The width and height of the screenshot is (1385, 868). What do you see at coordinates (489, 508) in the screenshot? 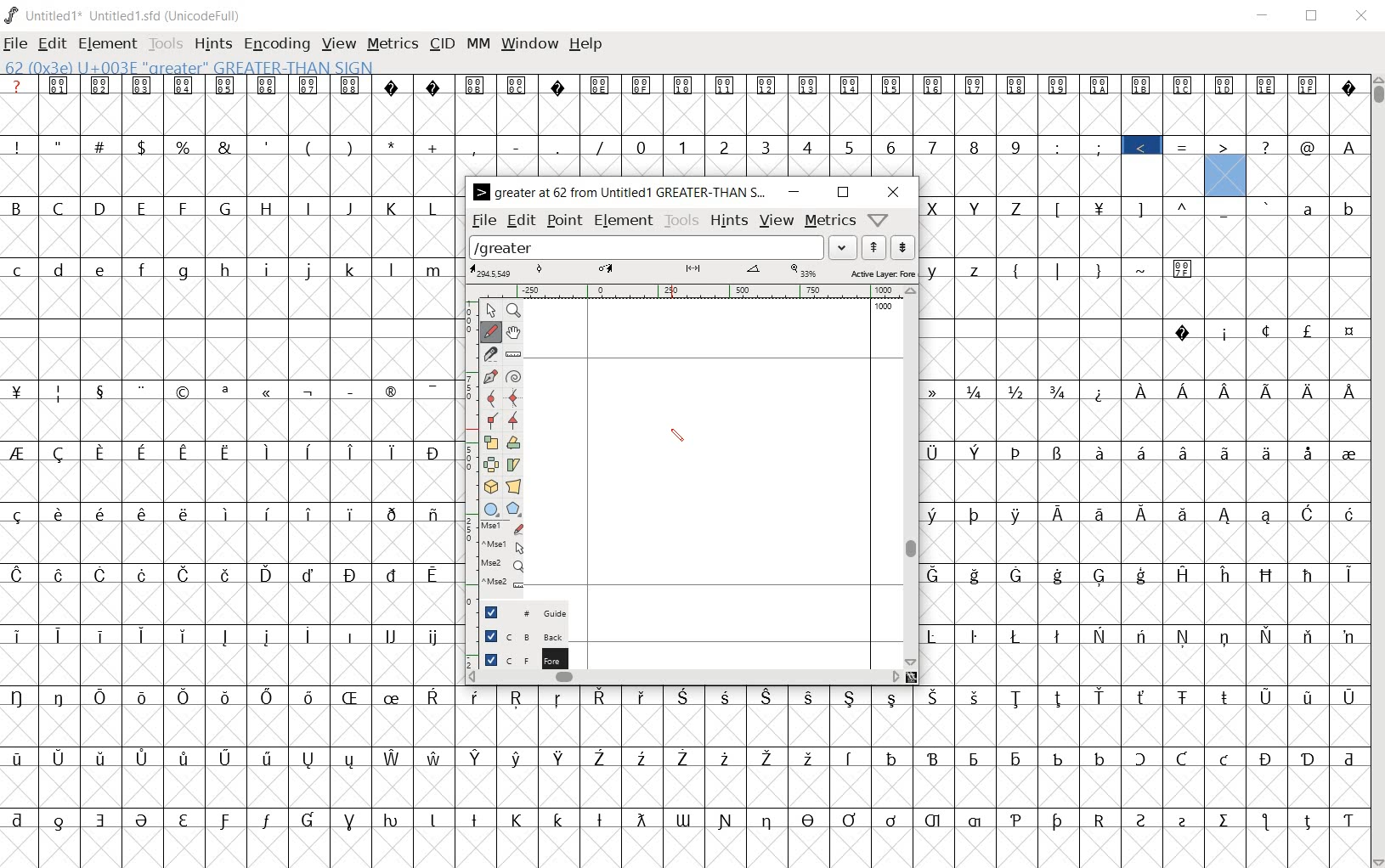
I see `rectangle or ellipse` at bounding box center [489, 508].